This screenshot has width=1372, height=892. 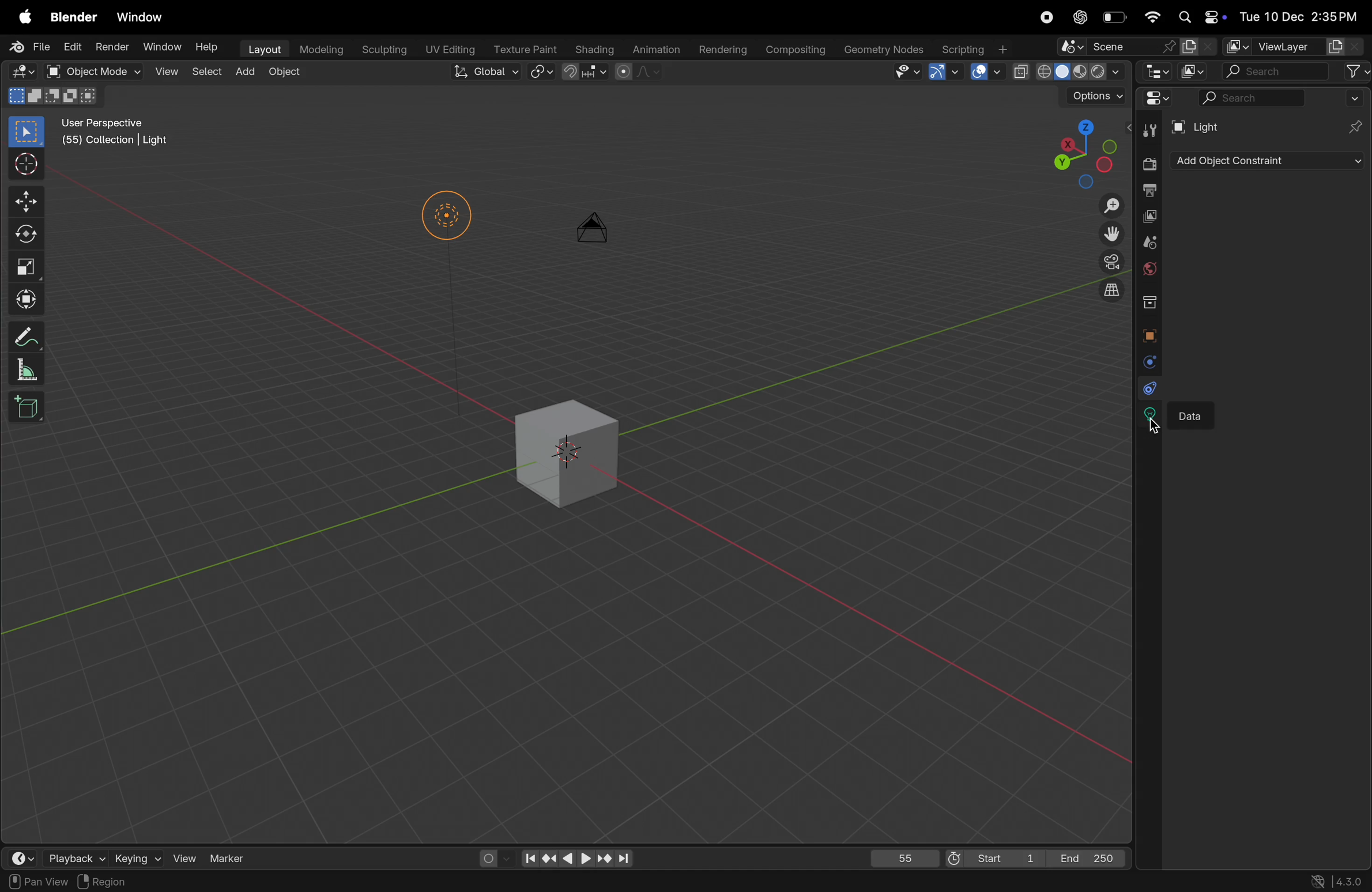 I want to click on animation, so click(x=656, y=49).